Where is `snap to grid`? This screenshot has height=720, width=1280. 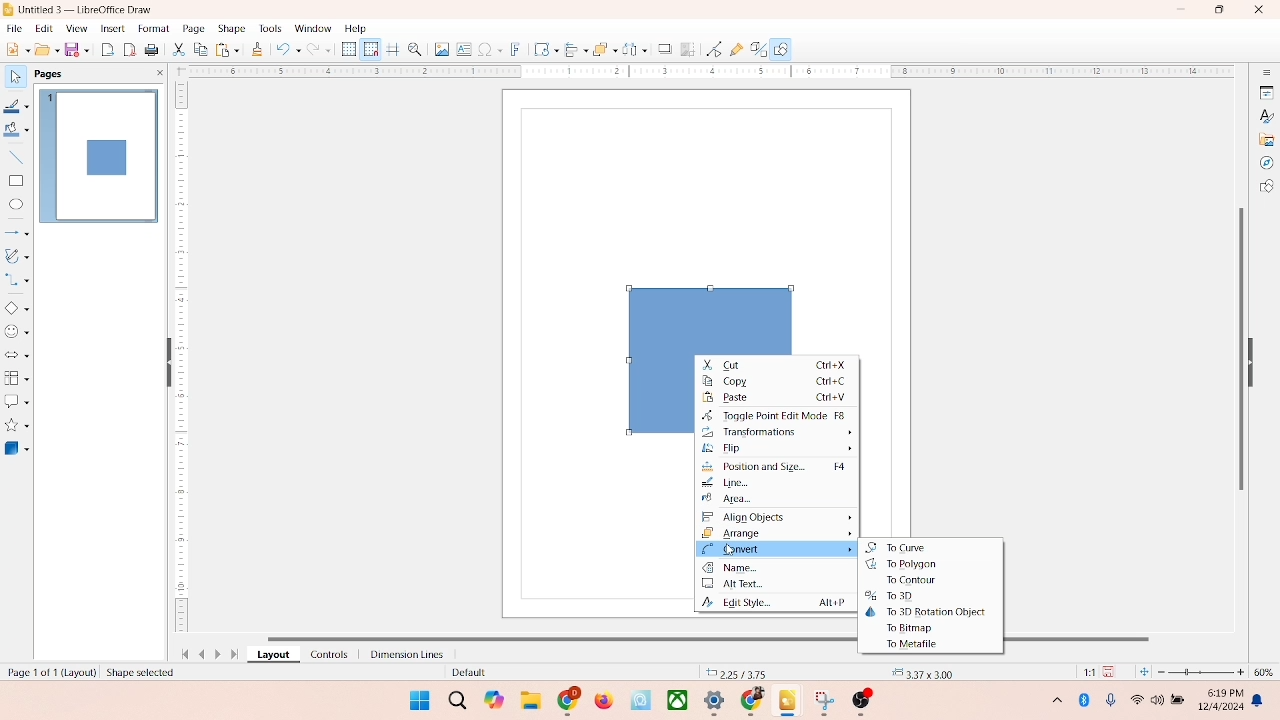 snap to grid is located at coordinates (368, 49).